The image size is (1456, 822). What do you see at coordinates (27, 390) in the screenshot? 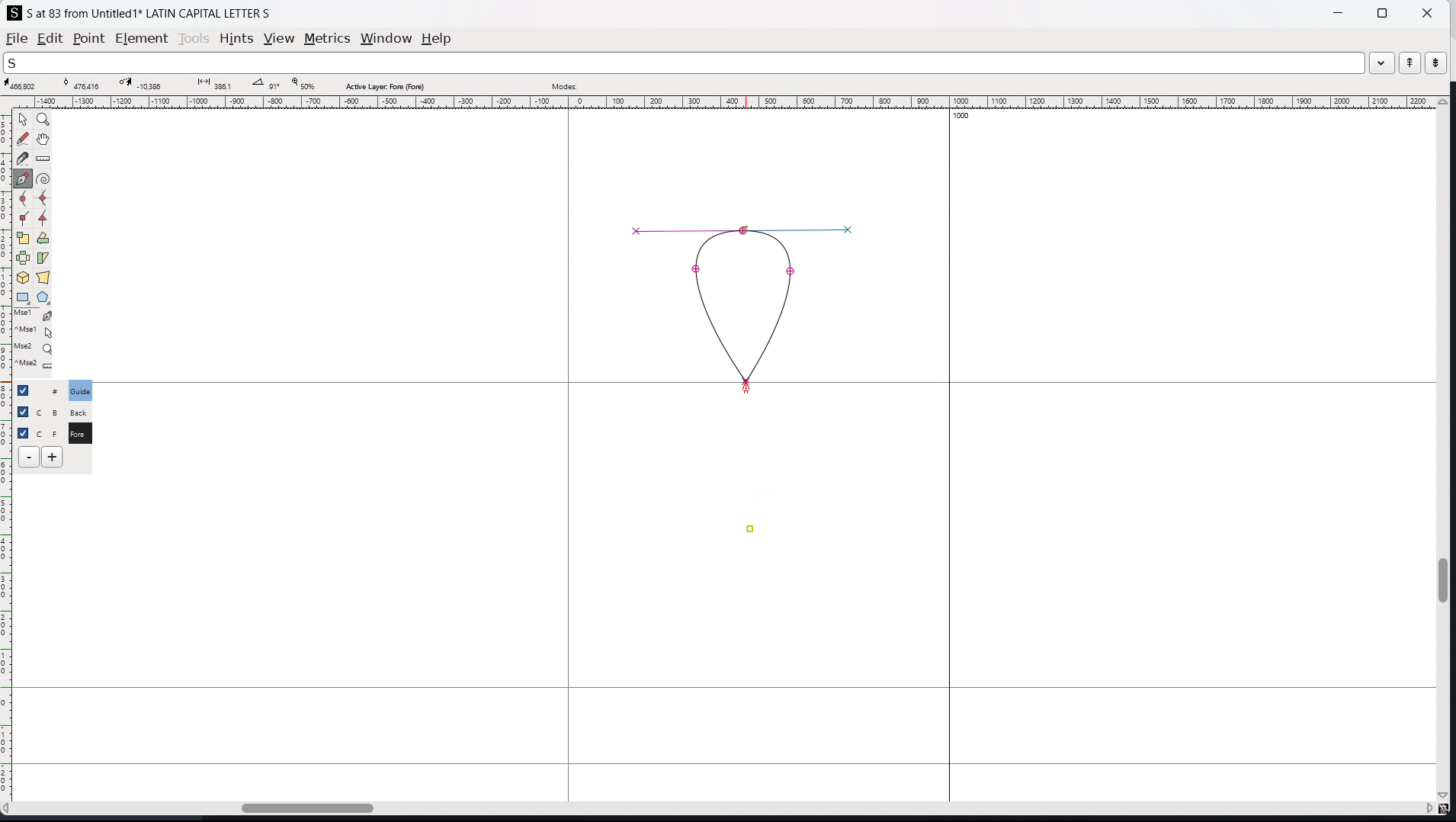
I see `checkbox` at bounding box center [27, 390].